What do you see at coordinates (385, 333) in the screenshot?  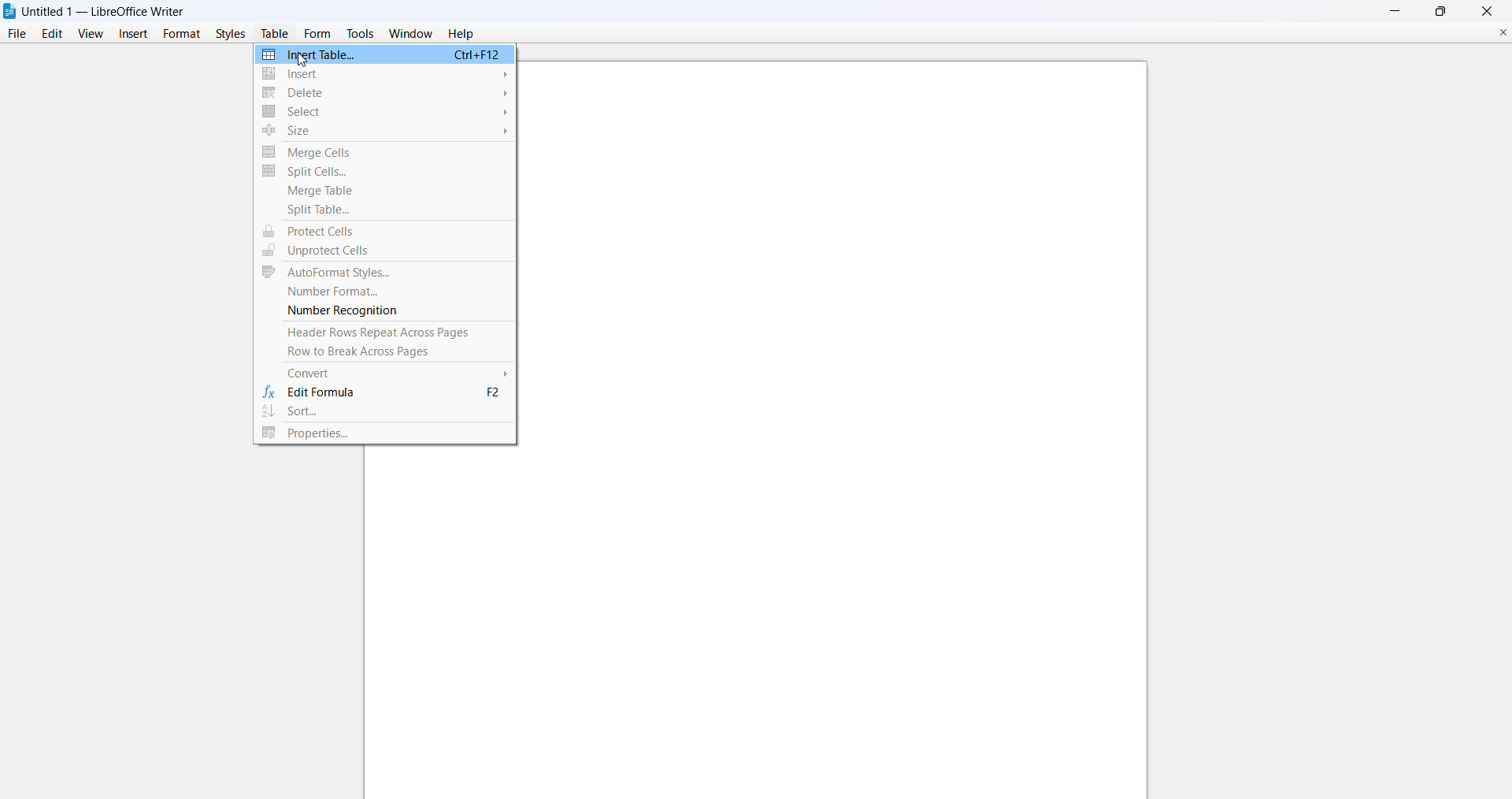 I see `header rows repeat across pages` at bounding box center [385, 333].